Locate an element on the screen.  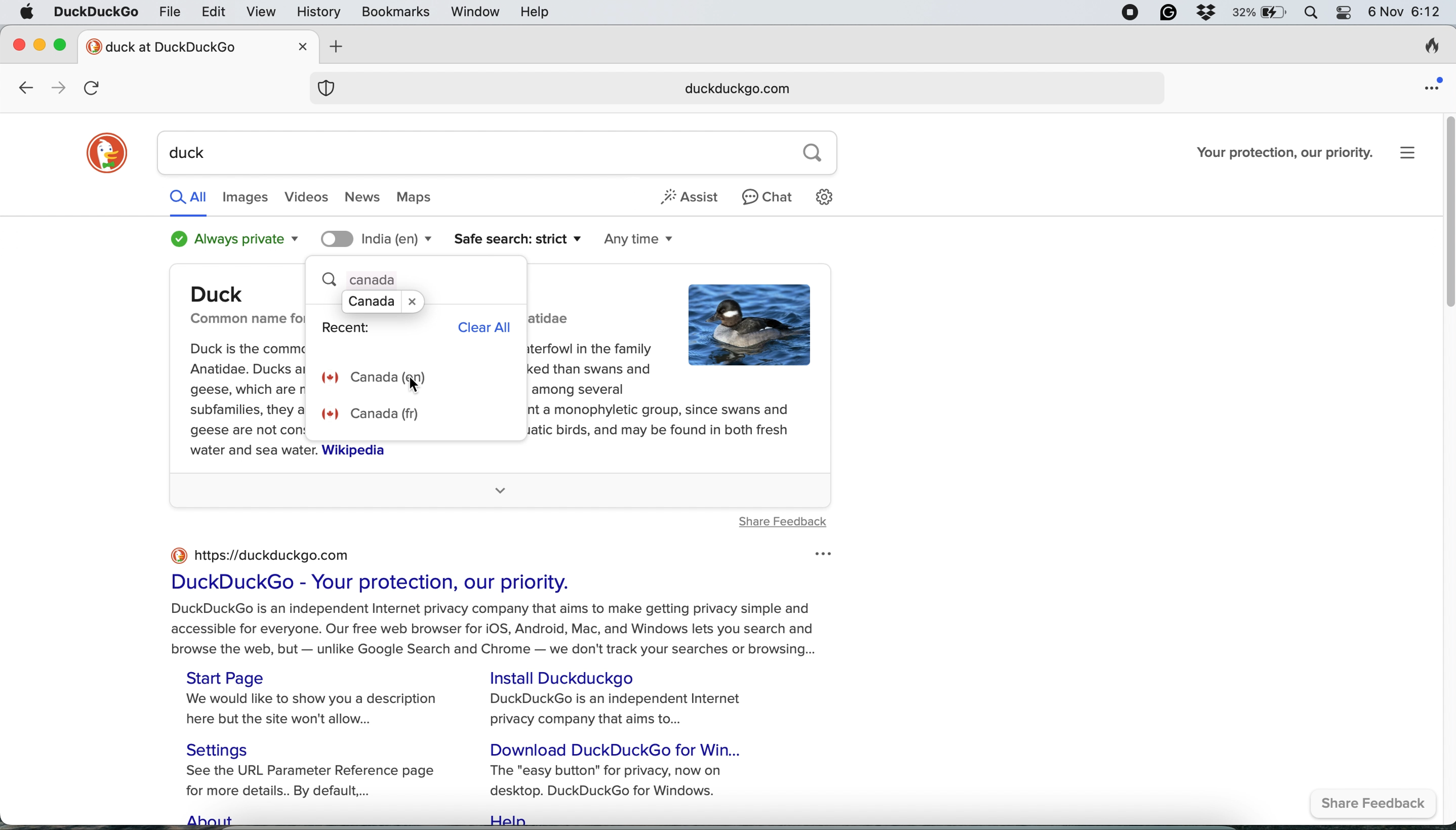
canada french is located at coordinates (380, 415).